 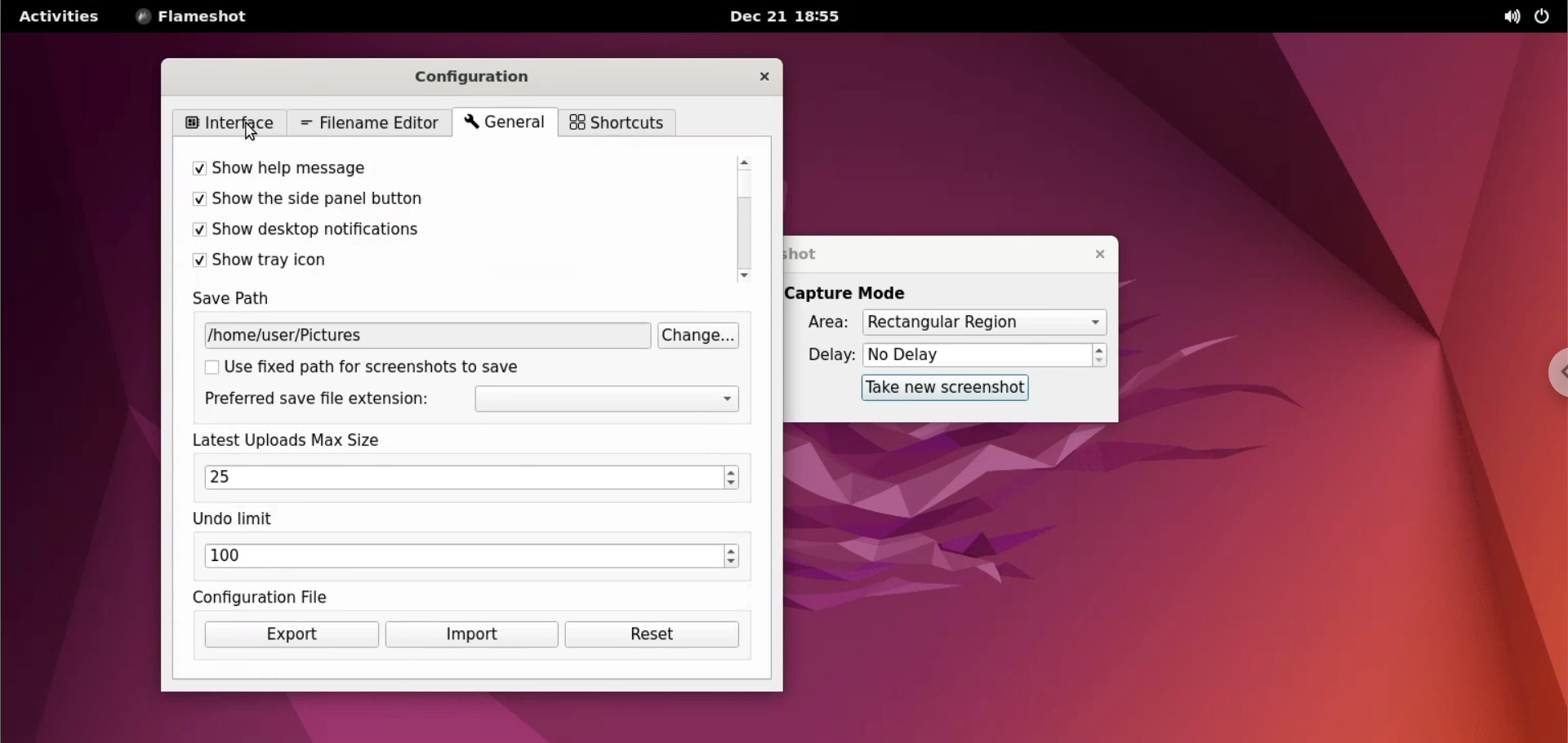 I want to click on delay, so click(x=825, y=354).